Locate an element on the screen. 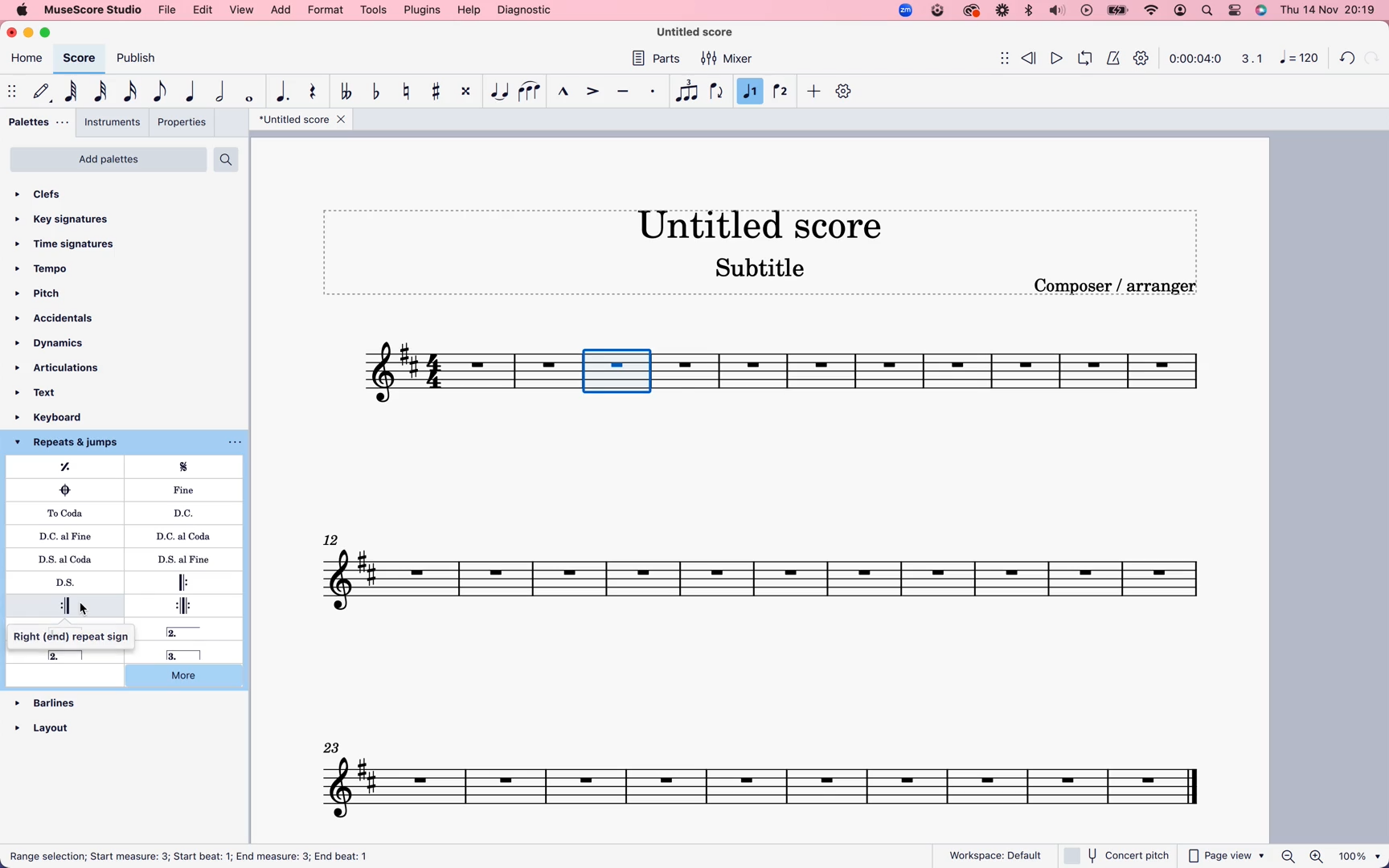 This screenshot has height=868, width=1389. tuplet is located at coordinates (686, 92).